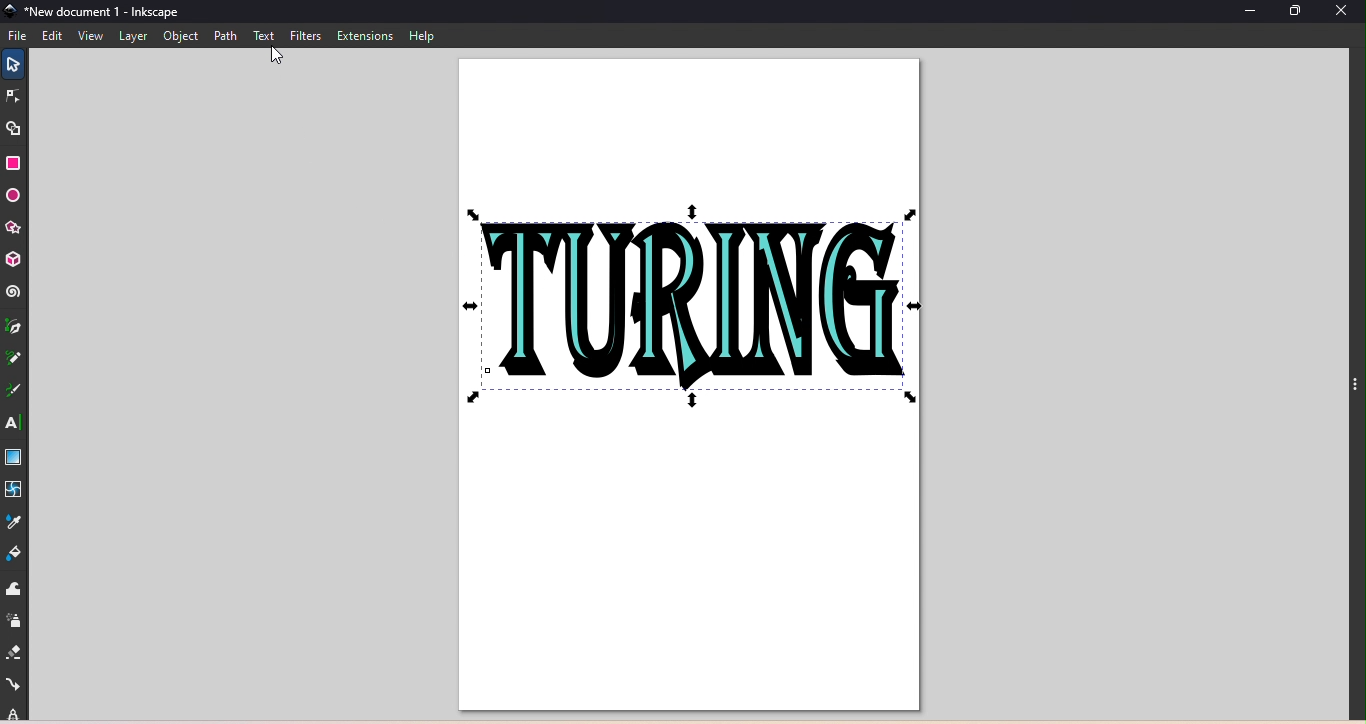 The width and height of the screenshot is (1366, 724). Describe the element at coordinates (11, 62) in the screenshot. I see `Selector tool` at that location.